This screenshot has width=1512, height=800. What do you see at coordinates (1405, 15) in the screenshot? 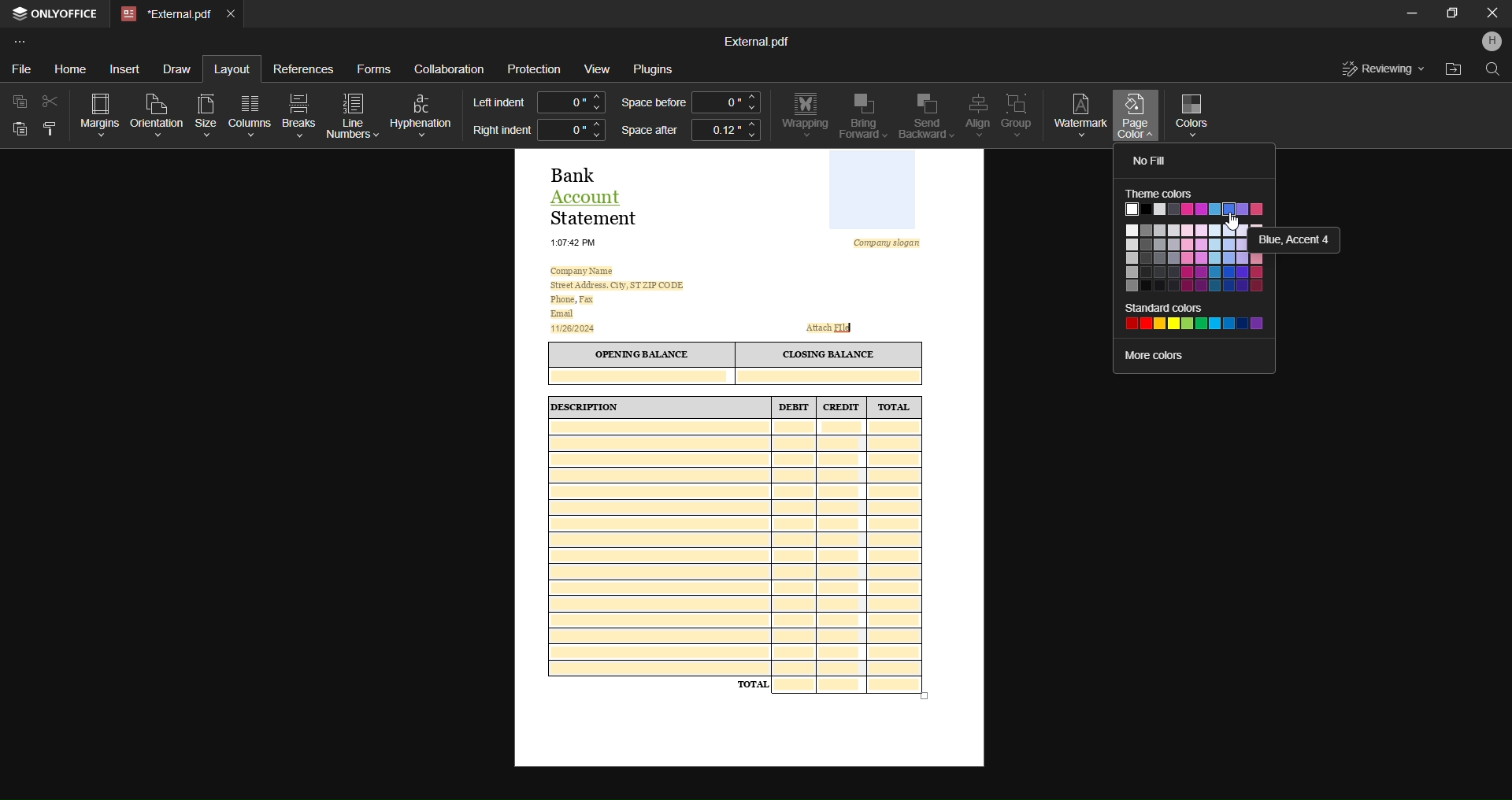
I see `Minimize` at bounding box center [1405, 15].